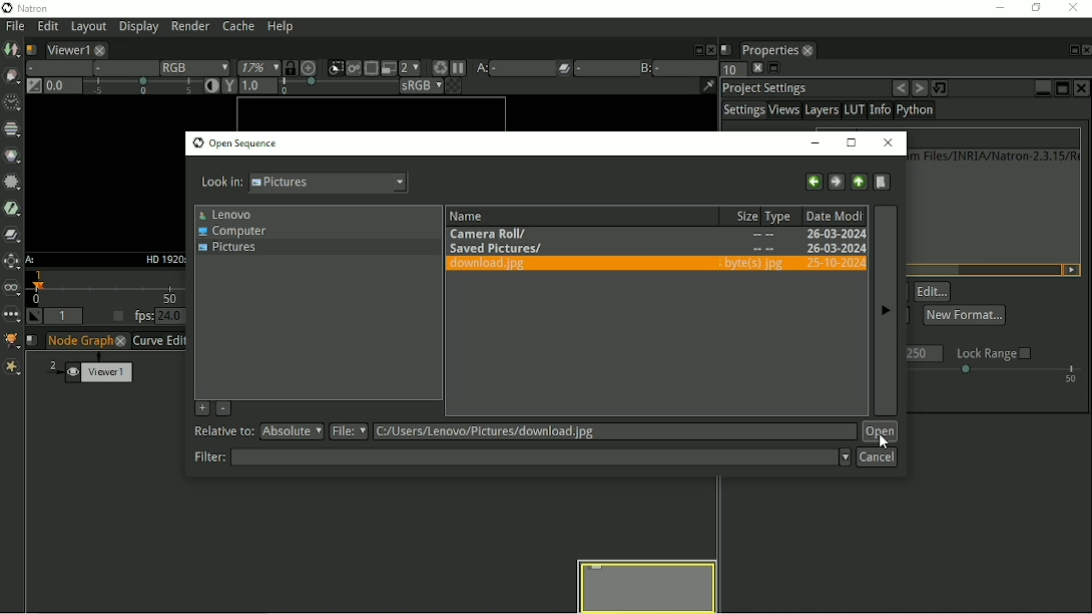  Describe the element at coordinates (236, 231) in the screenshot. I see `Computer` at that location.